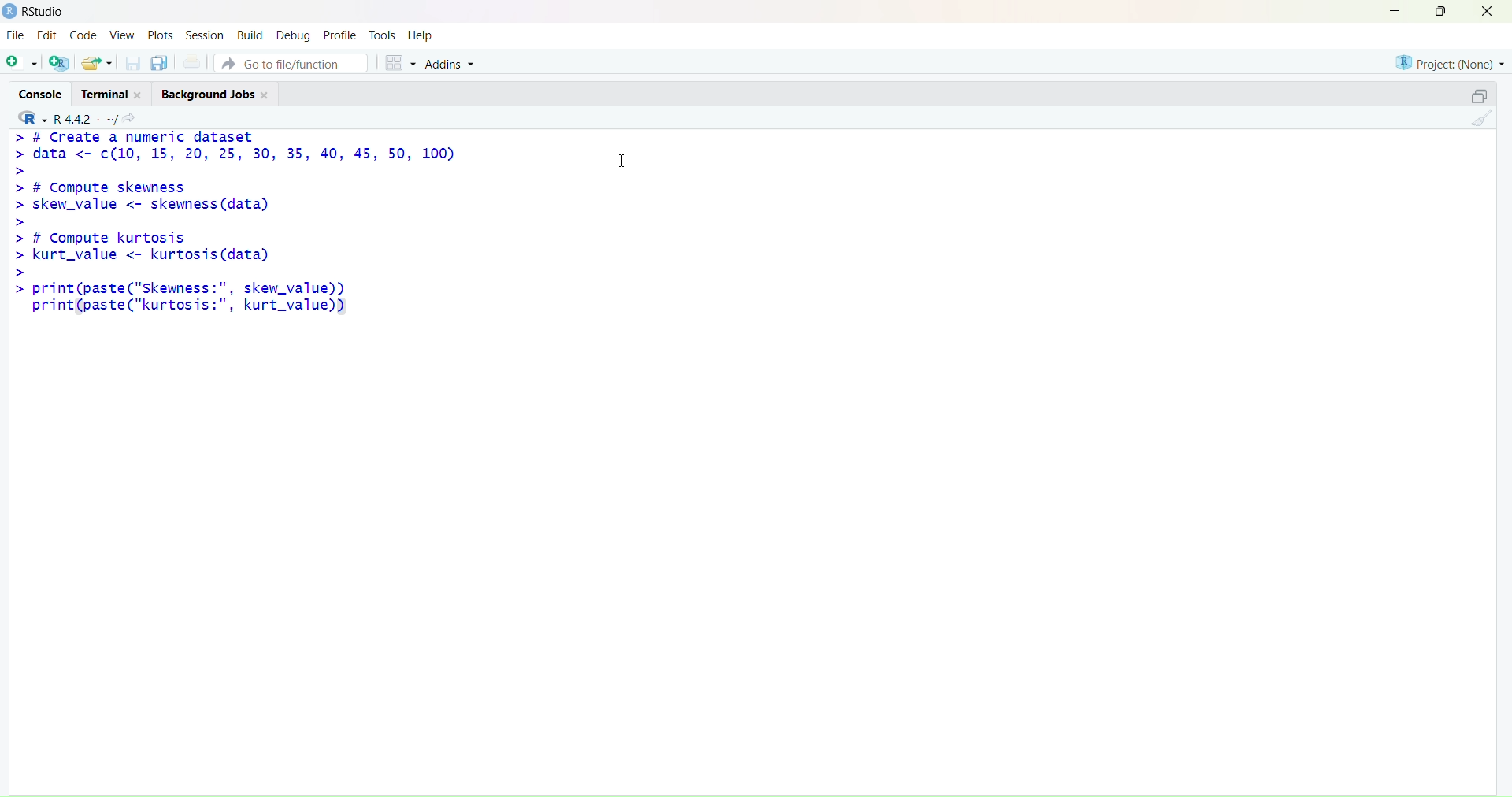 Image resolution: width=1512 pixels, height=797 pixels. I want to click on Help, so click(424, 34).